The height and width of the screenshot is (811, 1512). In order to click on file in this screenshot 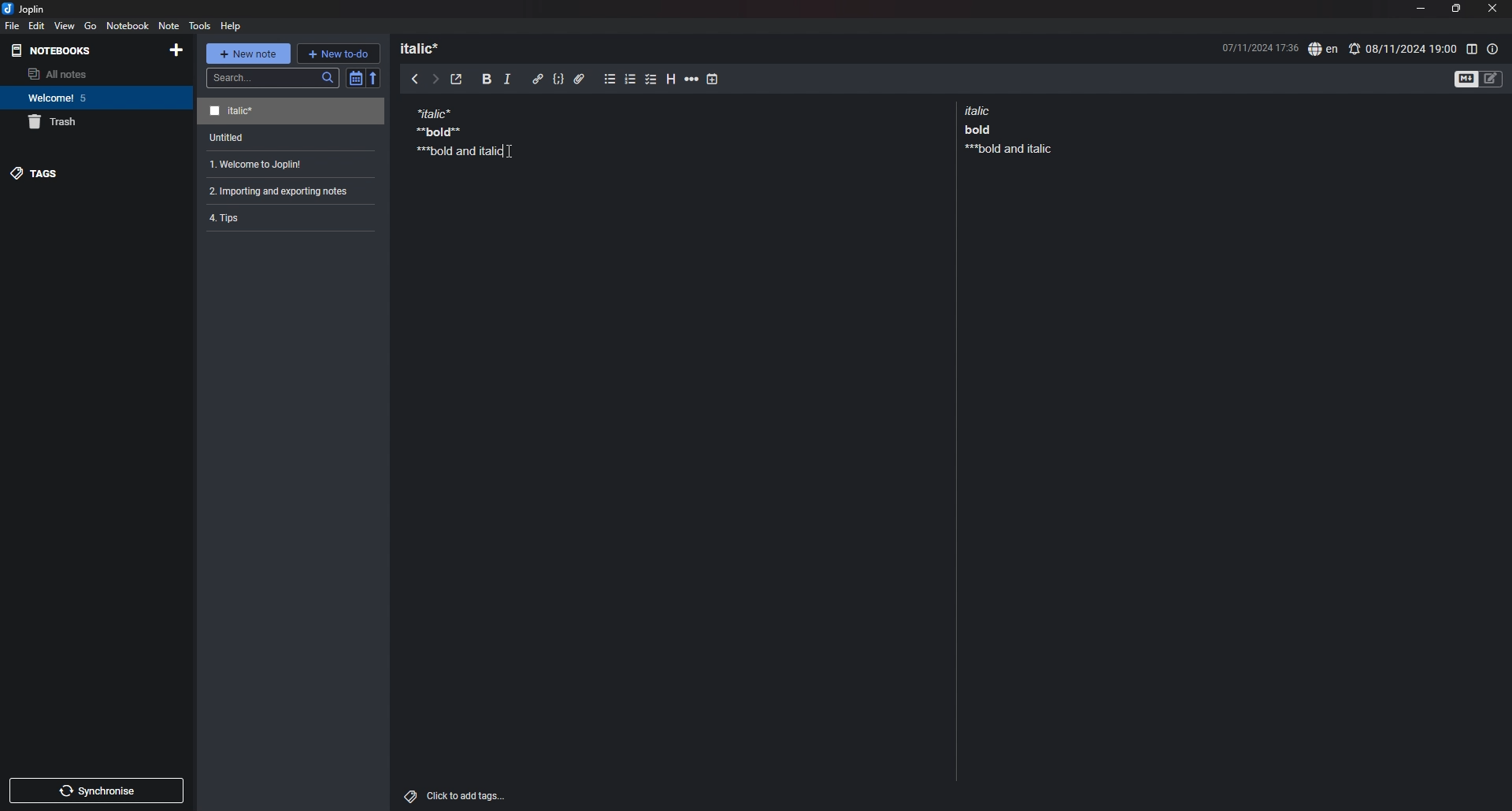, I will do `click(13, 25)`.